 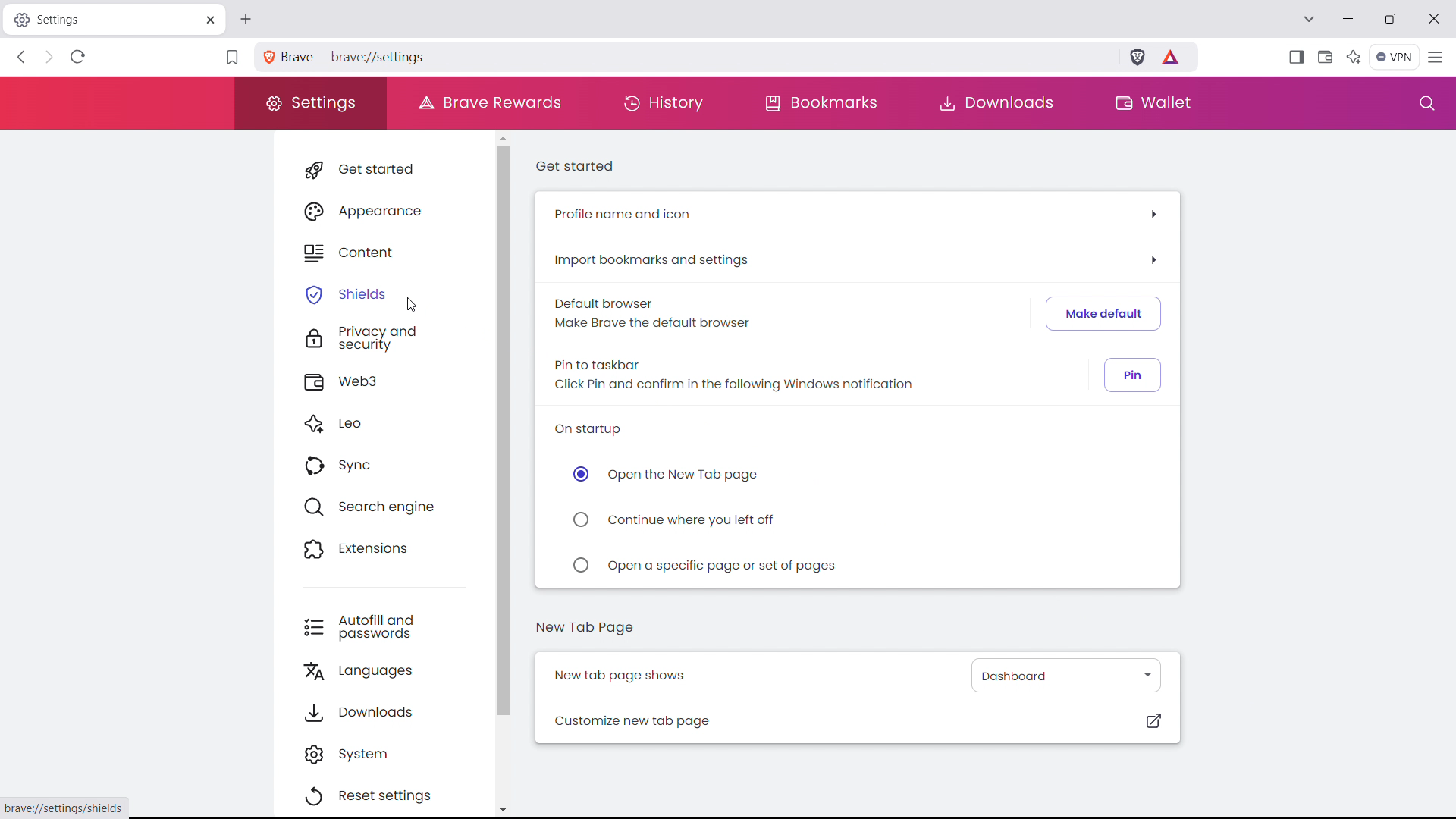 I want to click on profile name and icon, so click(x=855, y=214).